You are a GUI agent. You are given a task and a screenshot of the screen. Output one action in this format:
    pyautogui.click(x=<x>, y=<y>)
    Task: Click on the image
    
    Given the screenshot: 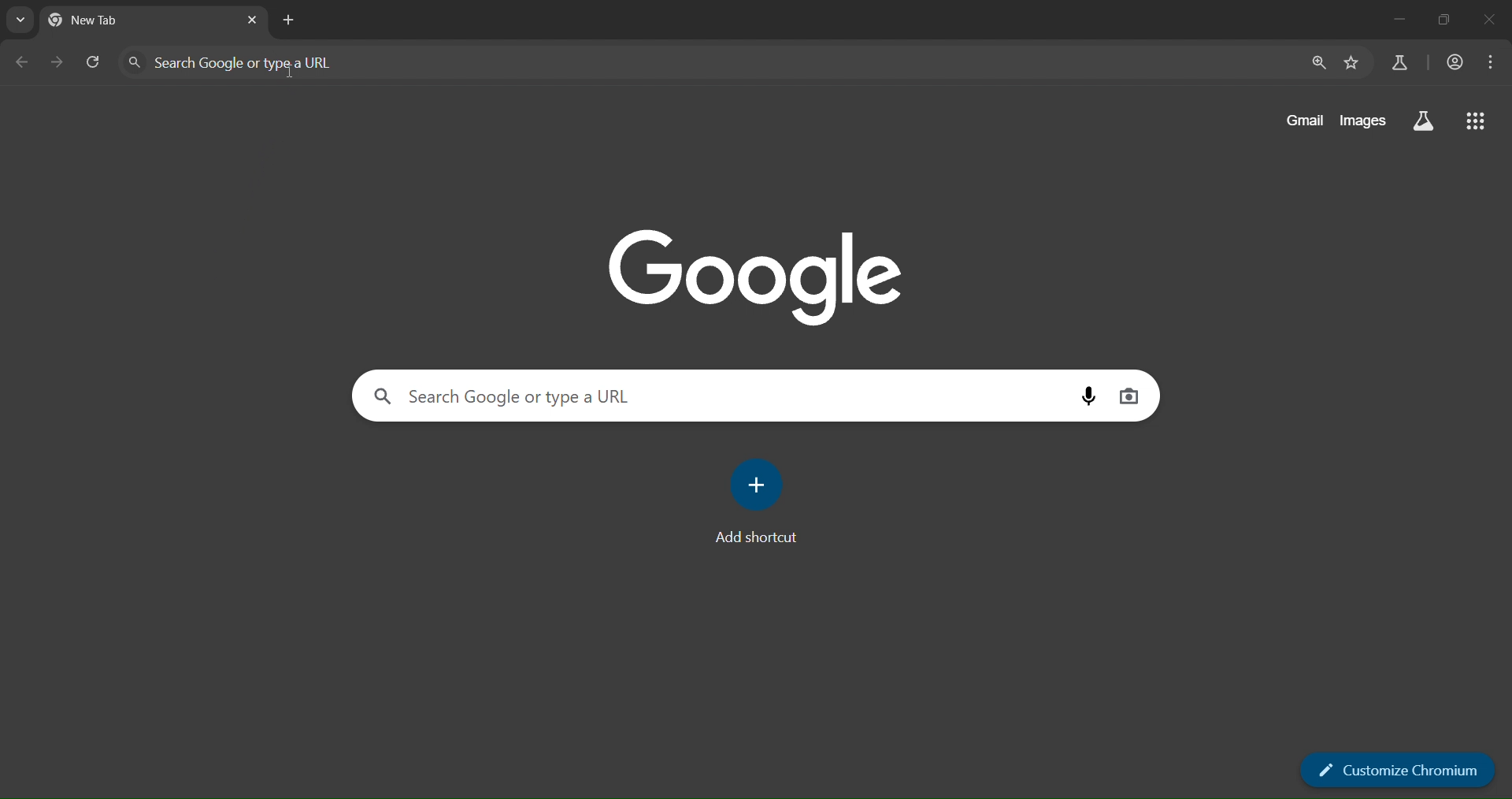 What is the action you would take?
    pyautogui.click(x=767, y=279)
    